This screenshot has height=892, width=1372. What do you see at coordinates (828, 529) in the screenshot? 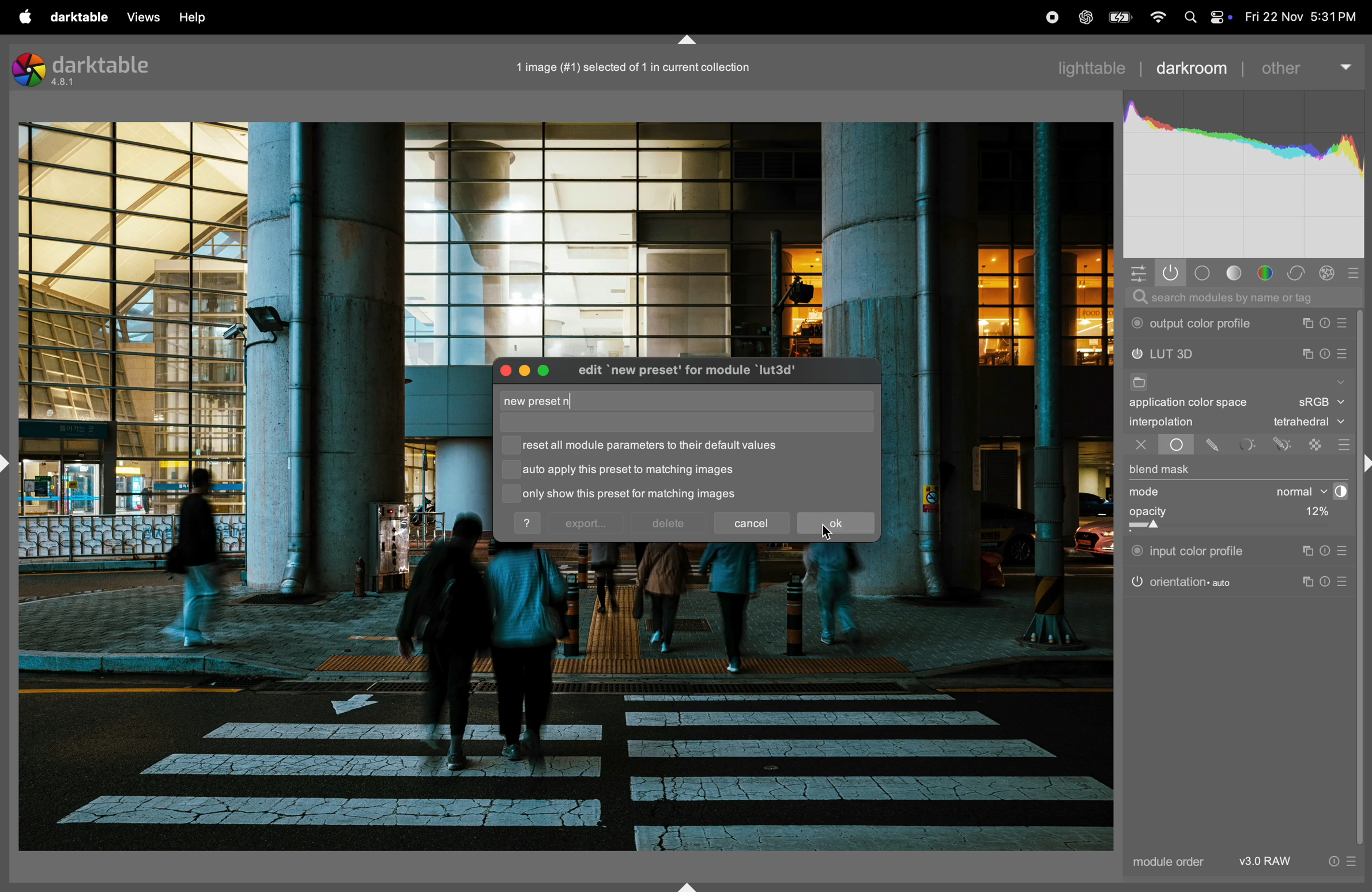
I see `cursor` at bounding box center [828, 529].